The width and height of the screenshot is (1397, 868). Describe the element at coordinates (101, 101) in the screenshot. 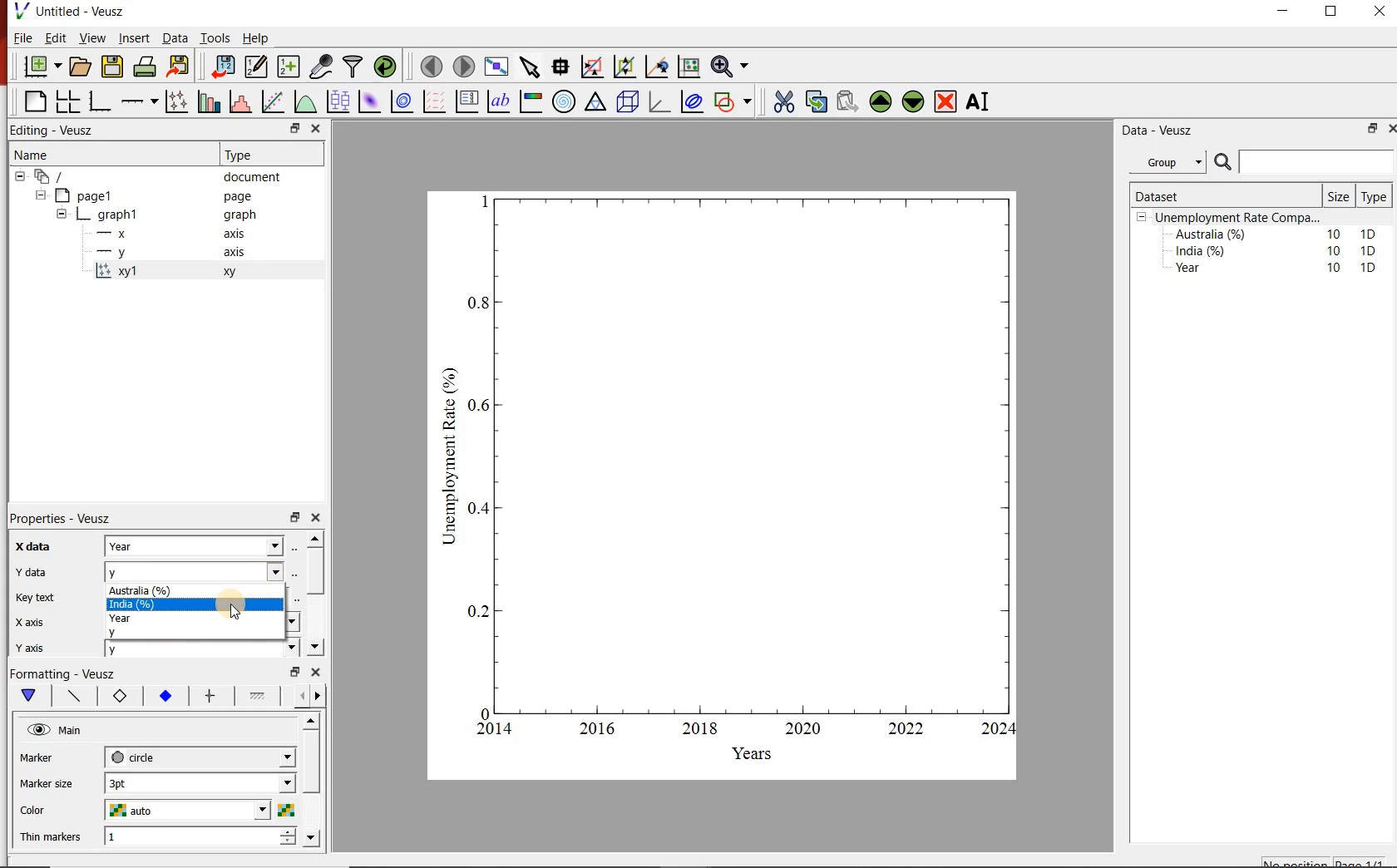

I see `base graphs` at that location.